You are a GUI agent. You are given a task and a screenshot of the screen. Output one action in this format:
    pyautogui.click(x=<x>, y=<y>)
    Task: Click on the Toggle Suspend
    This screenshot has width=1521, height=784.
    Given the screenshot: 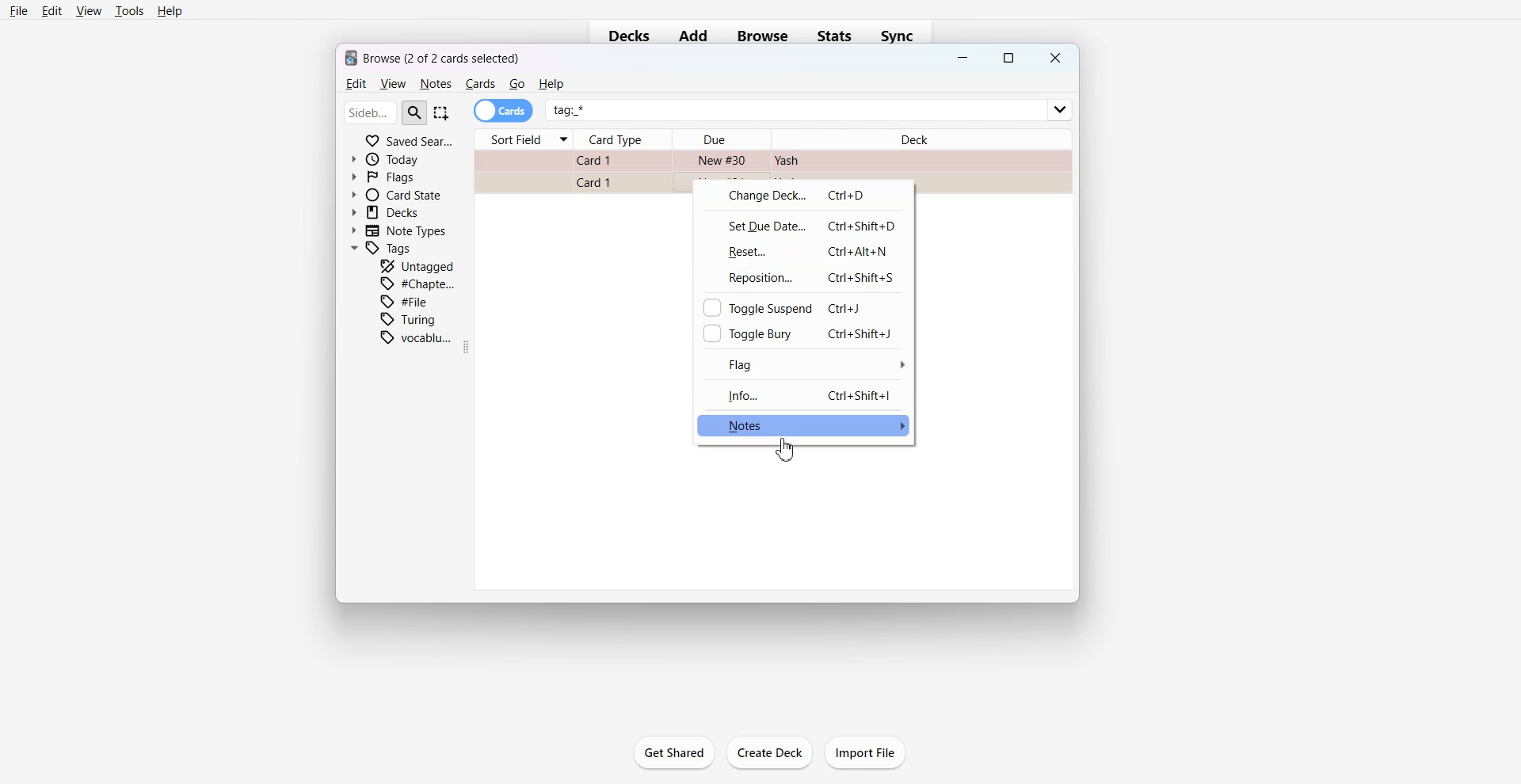 What is the action you would take?
    pyautogui.click(x=802, y=306)
    